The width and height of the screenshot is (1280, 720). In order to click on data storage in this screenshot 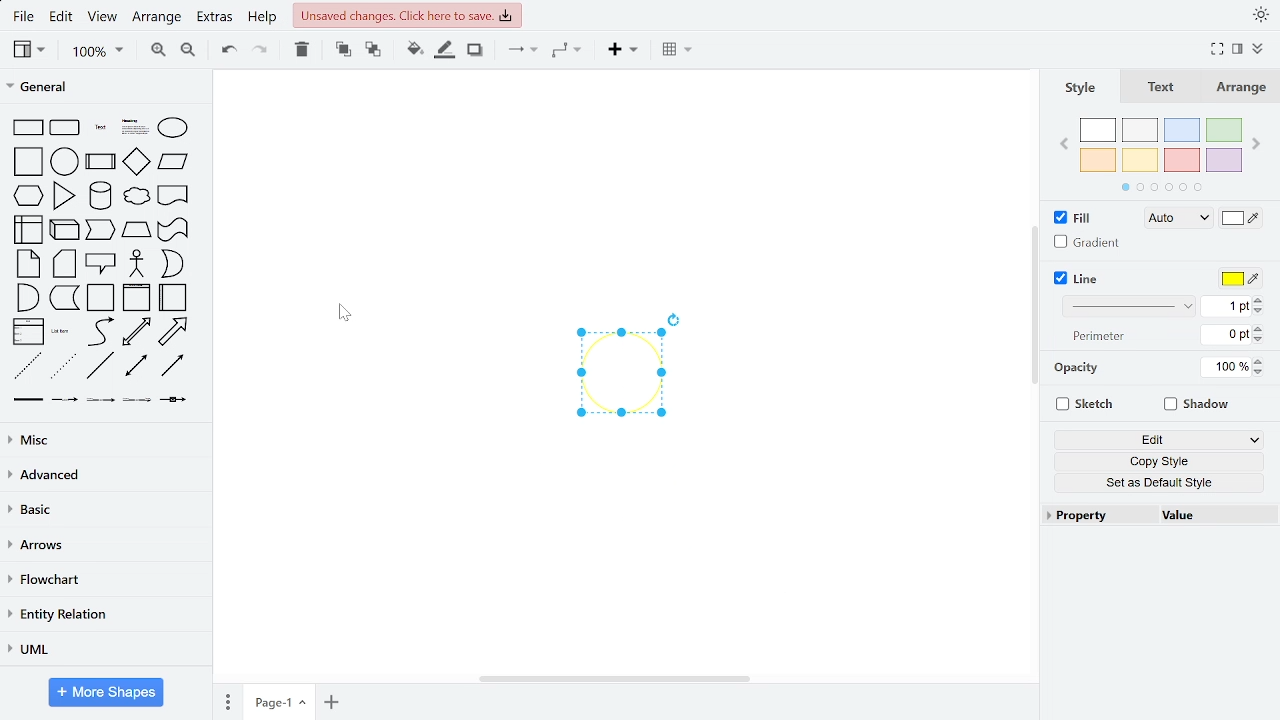, I will do `click(63, 298)`.